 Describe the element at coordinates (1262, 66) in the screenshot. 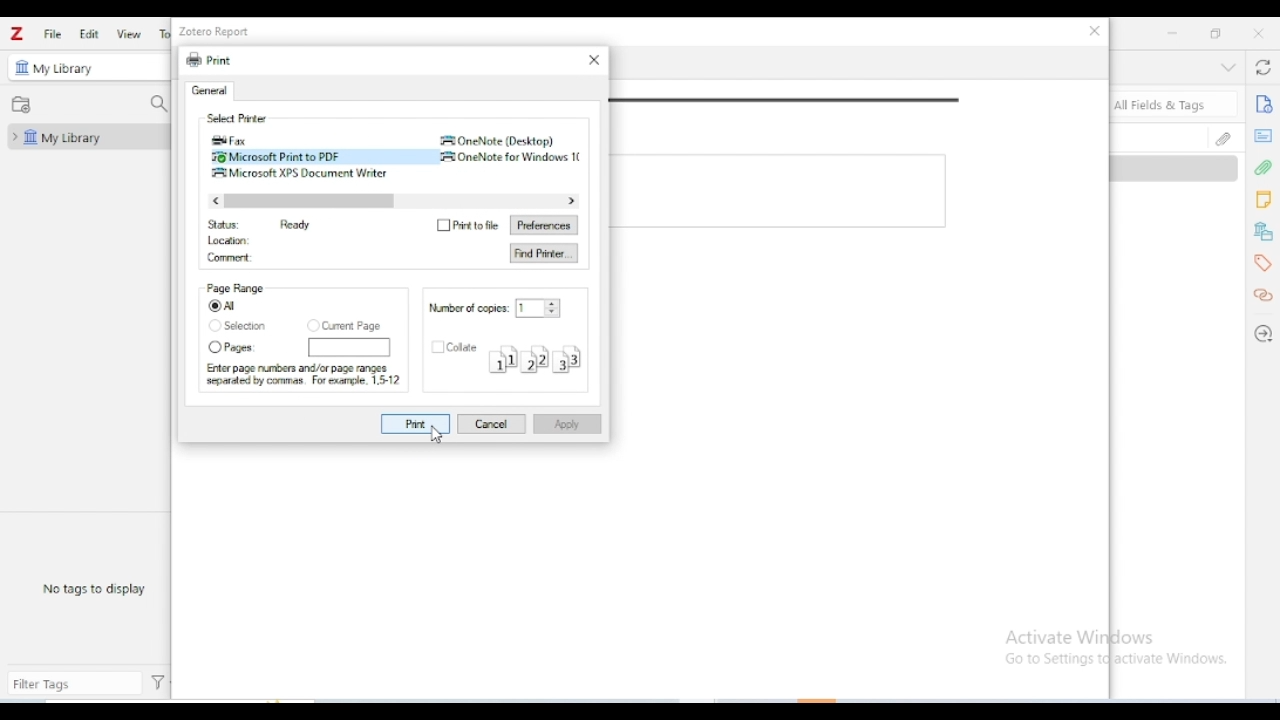

I see `sync with zotero.org` at that location.